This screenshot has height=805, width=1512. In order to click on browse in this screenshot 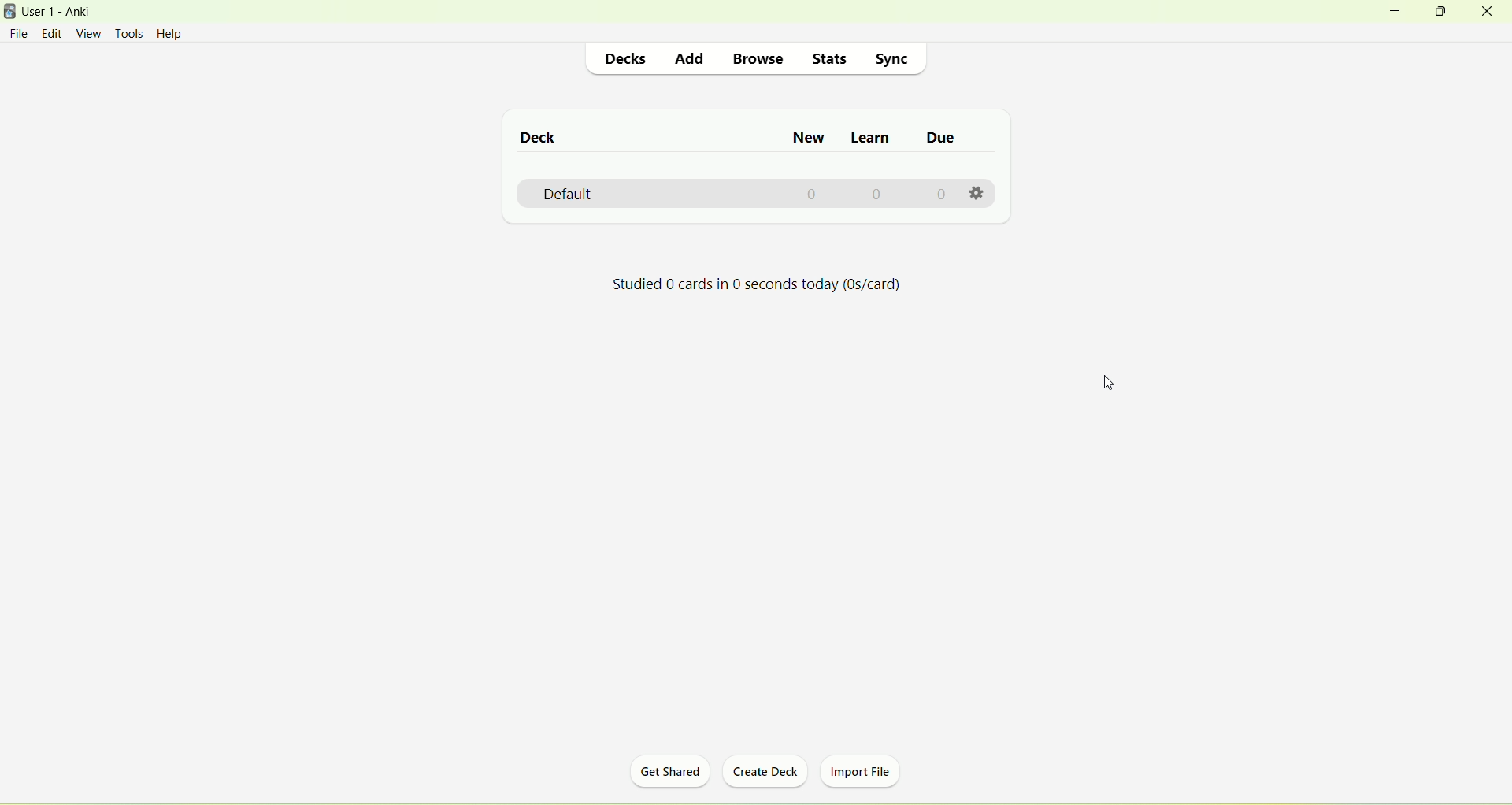, I will do `click(758, 61)`.